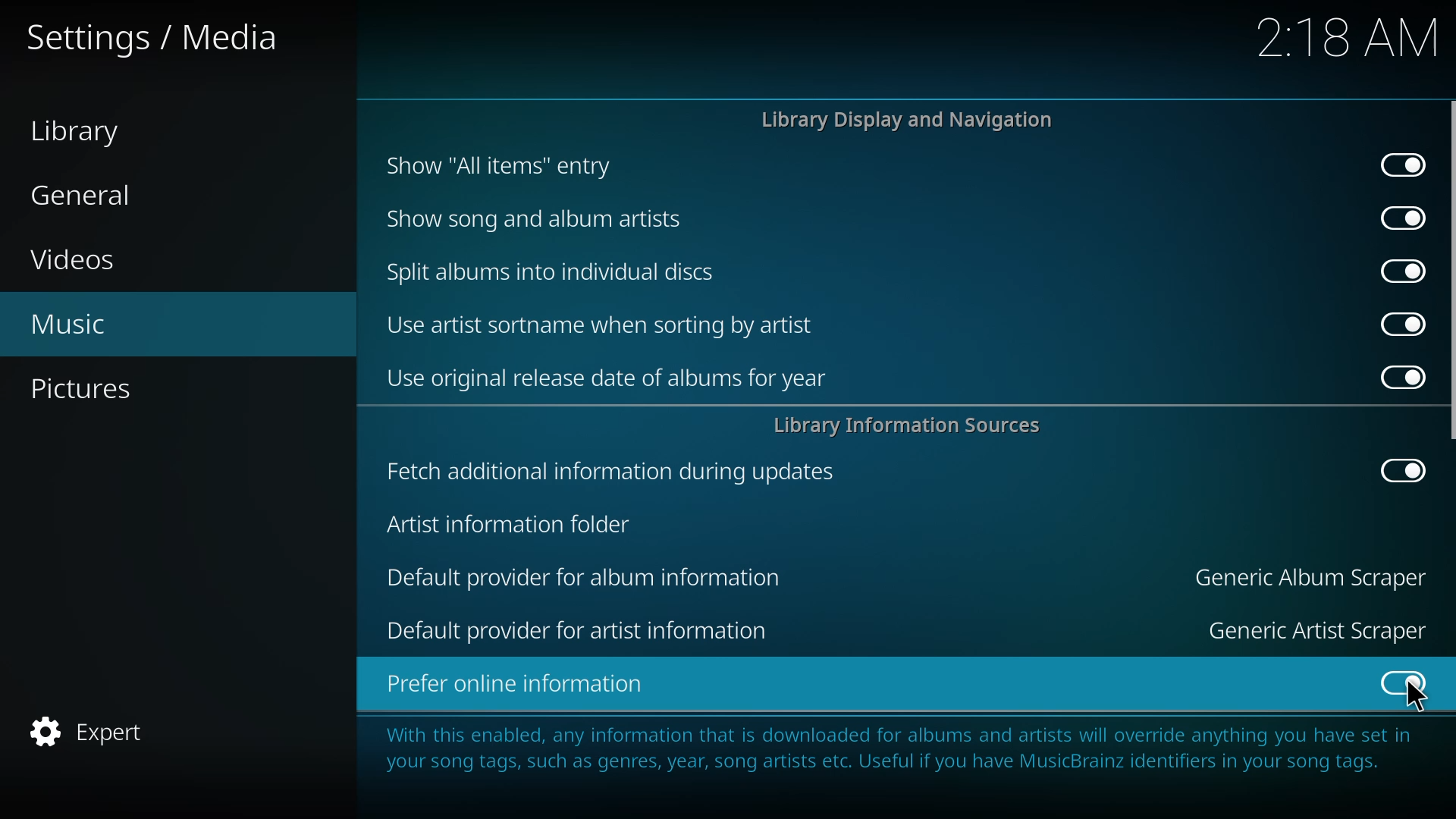 The width and height of the screenshot is (1456, 819). I want to click on generic, so click(1315, 578).